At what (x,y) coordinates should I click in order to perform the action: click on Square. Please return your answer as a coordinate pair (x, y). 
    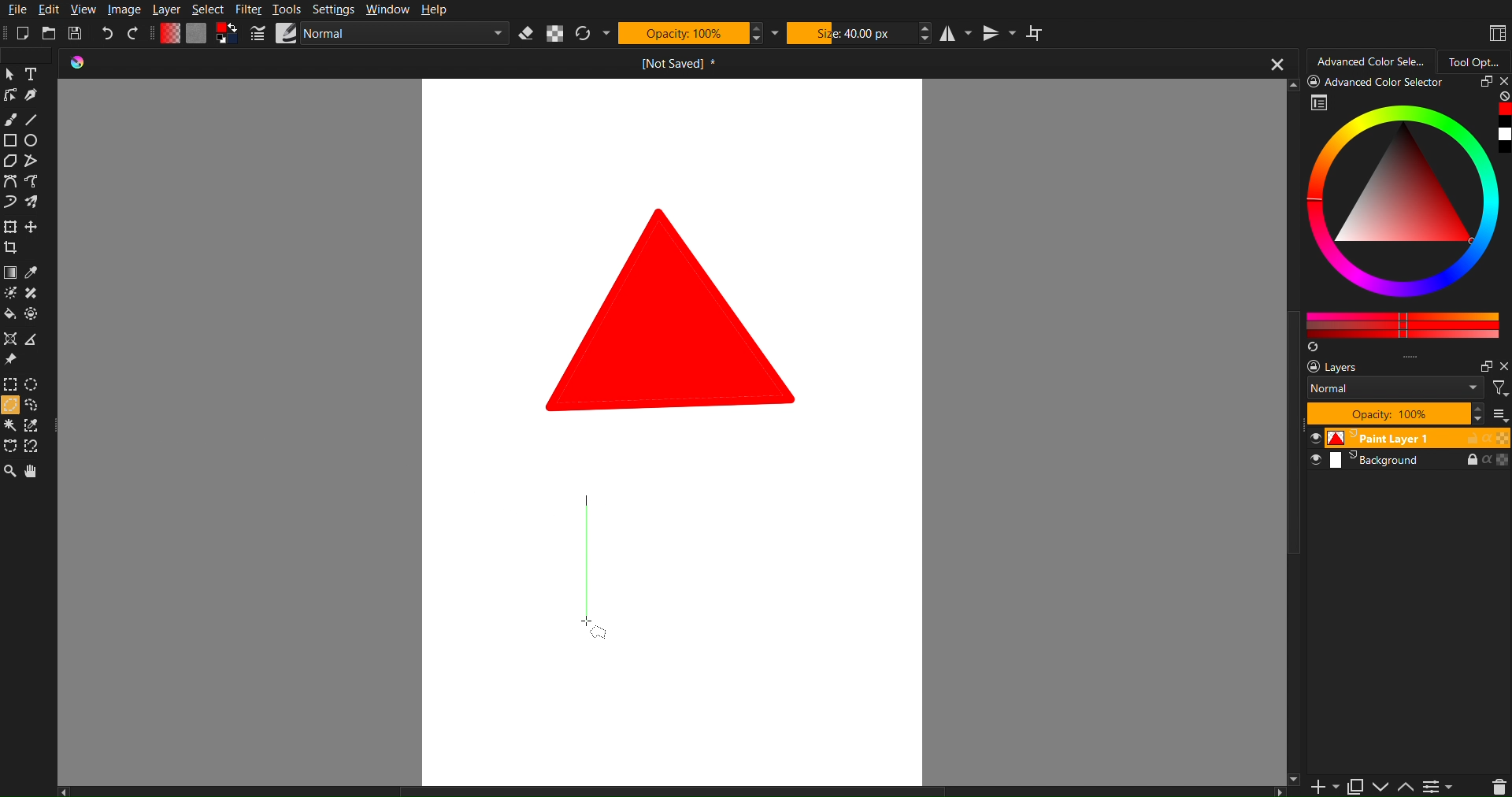
    Looking at the image, I should click on (9, 228).